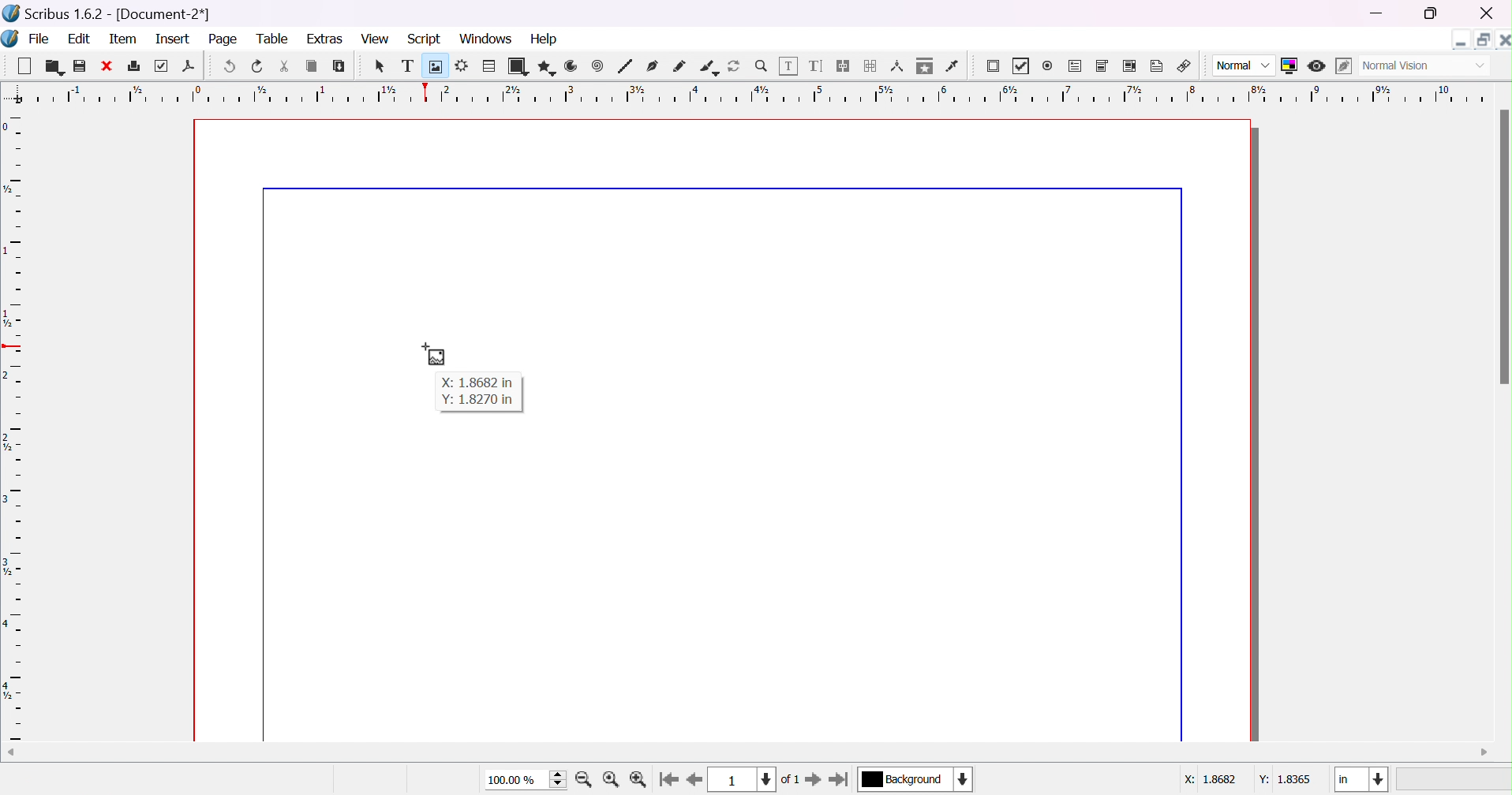 The height and width of the screenshot is (795, 1512). I want to click on close, so click(105, 66).